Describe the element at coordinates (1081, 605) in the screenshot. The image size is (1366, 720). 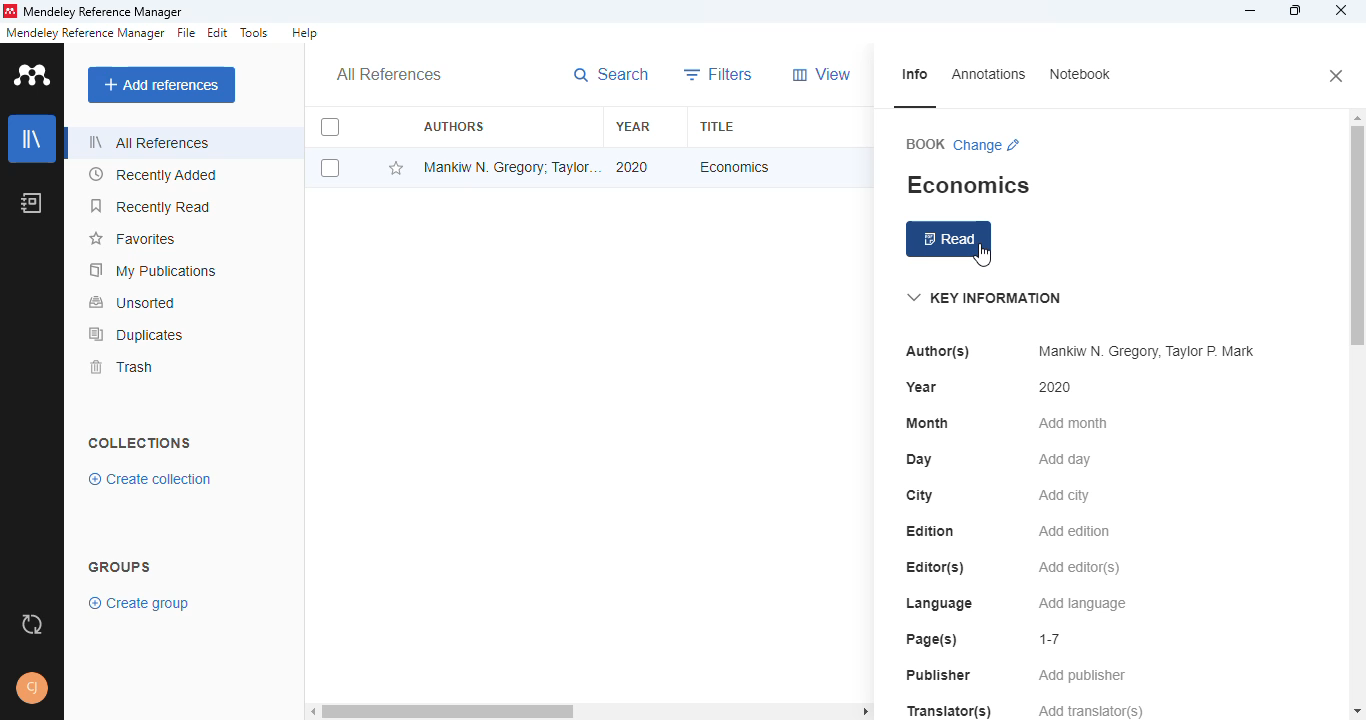
I see `add language` at that location.